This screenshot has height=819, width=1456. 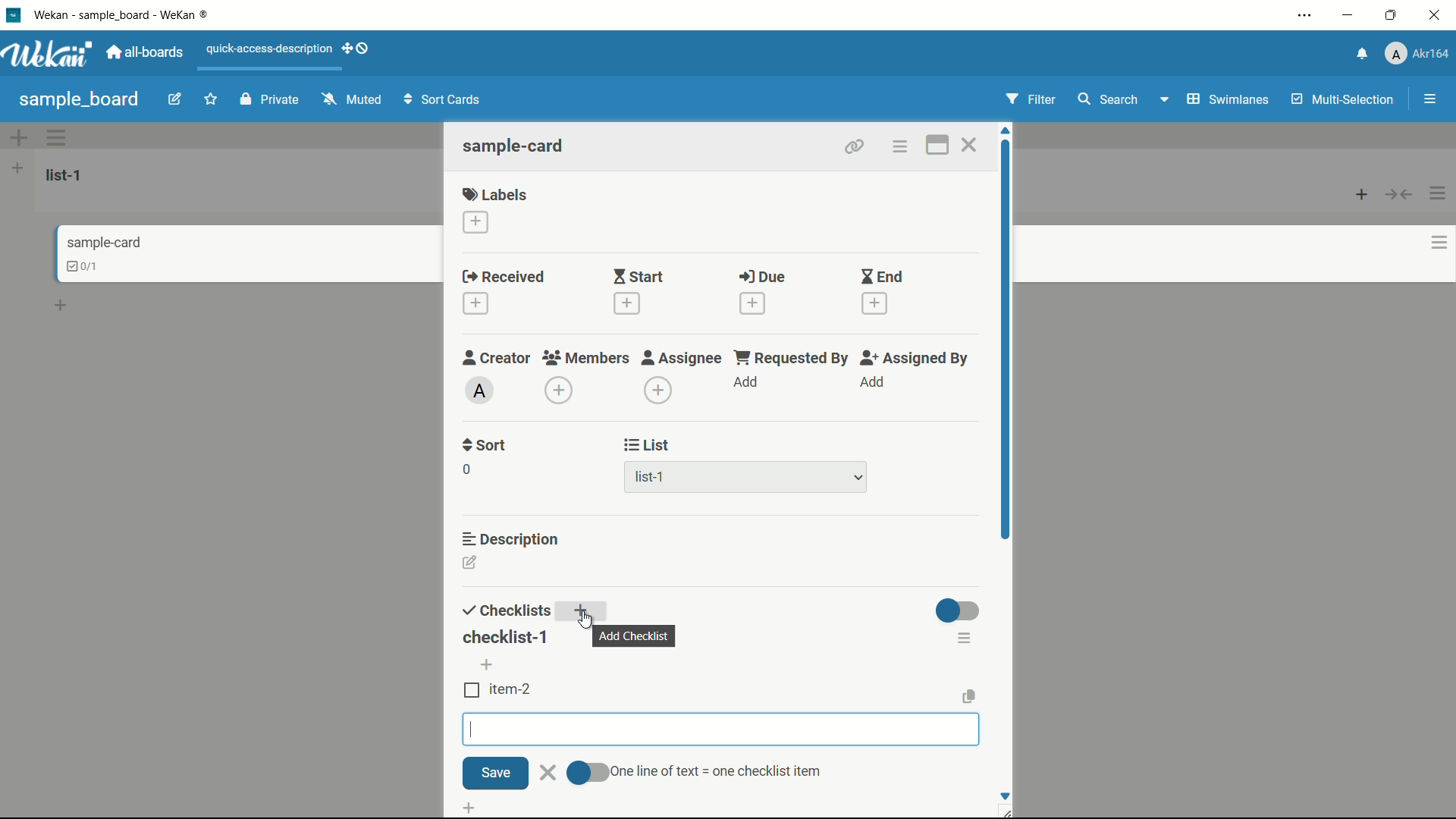 What do you see at coordinates (1393, 16) in the screenshot?
I see `maximize` at bounding box center [1393, 16].